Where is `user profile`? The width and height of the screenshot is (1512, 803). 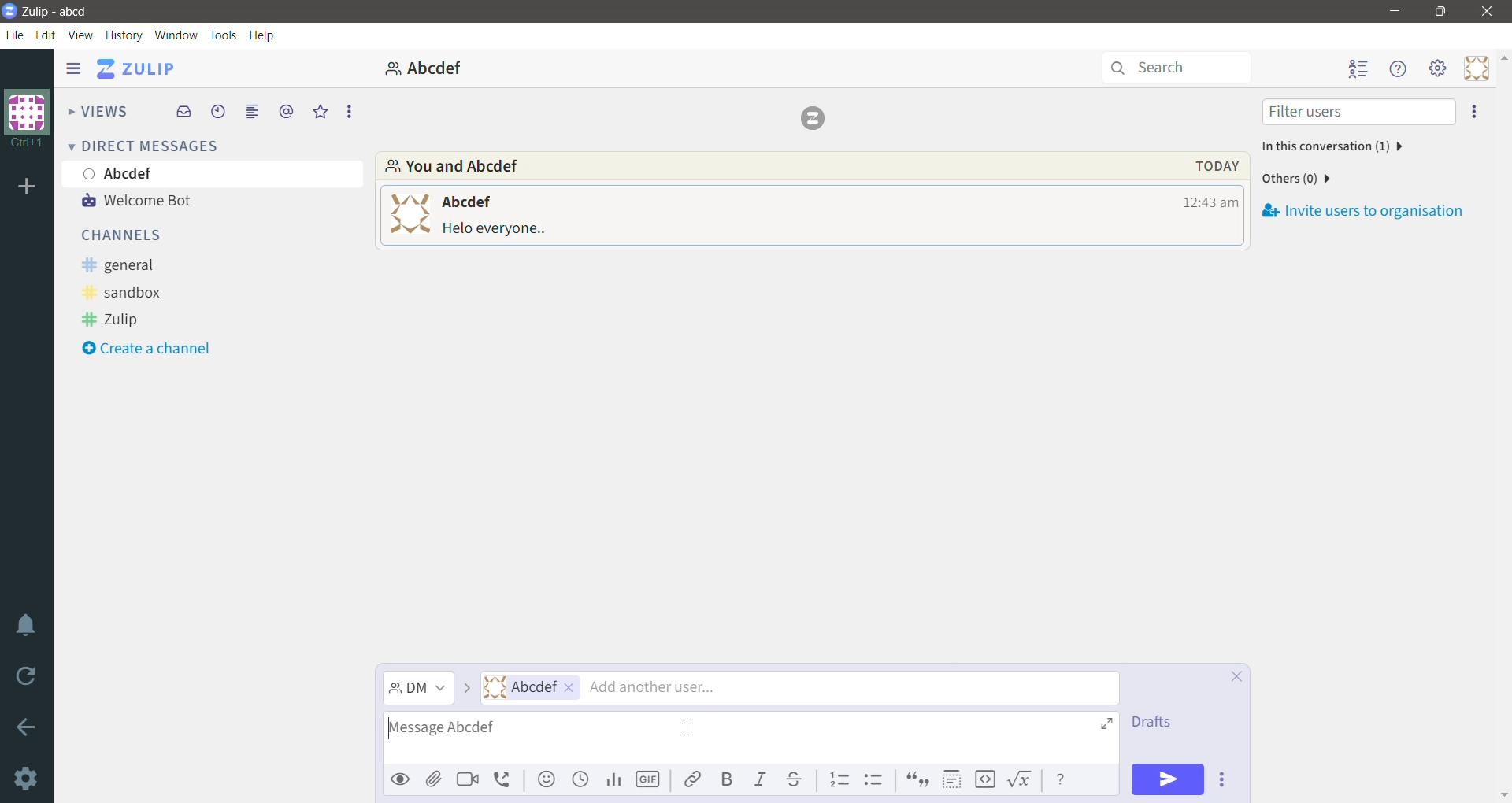 user profile is located at coordinates (407, 213).